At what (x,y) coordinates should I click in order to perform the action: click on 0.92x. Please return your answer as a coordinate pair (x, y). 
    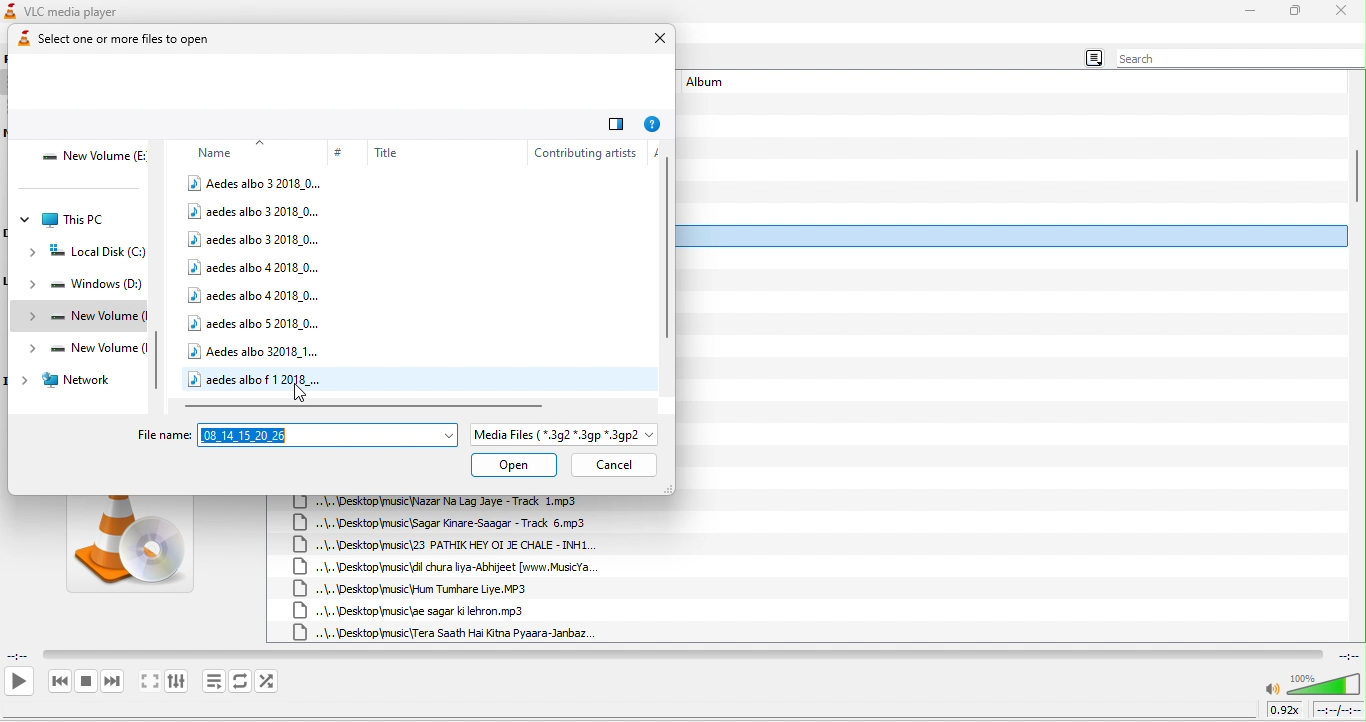
    Looking at the image, I should click on (1287, 709).